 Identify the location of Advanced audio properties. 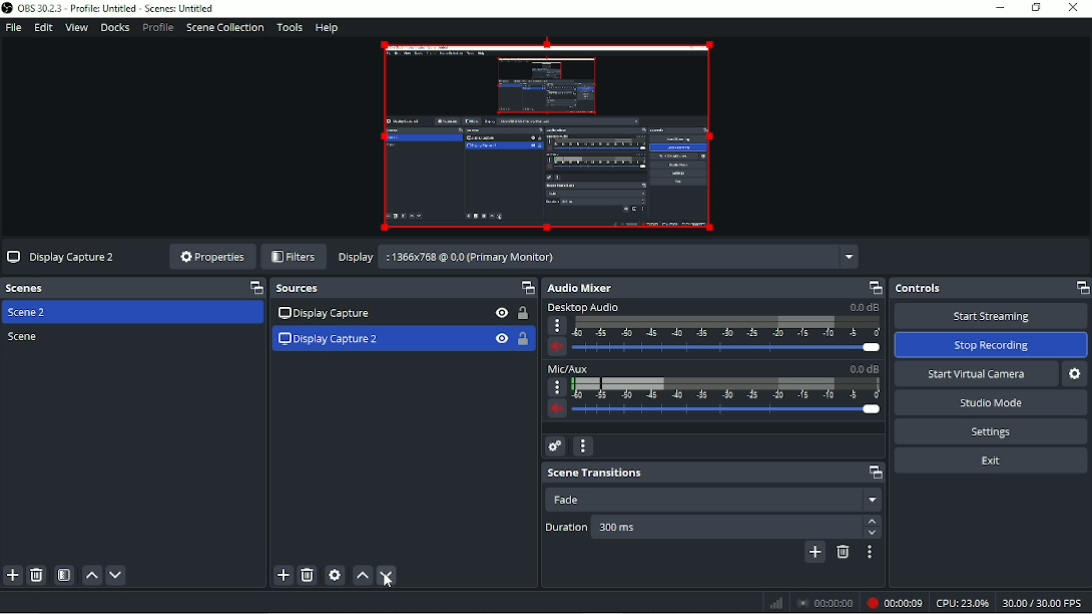
(553, 446).